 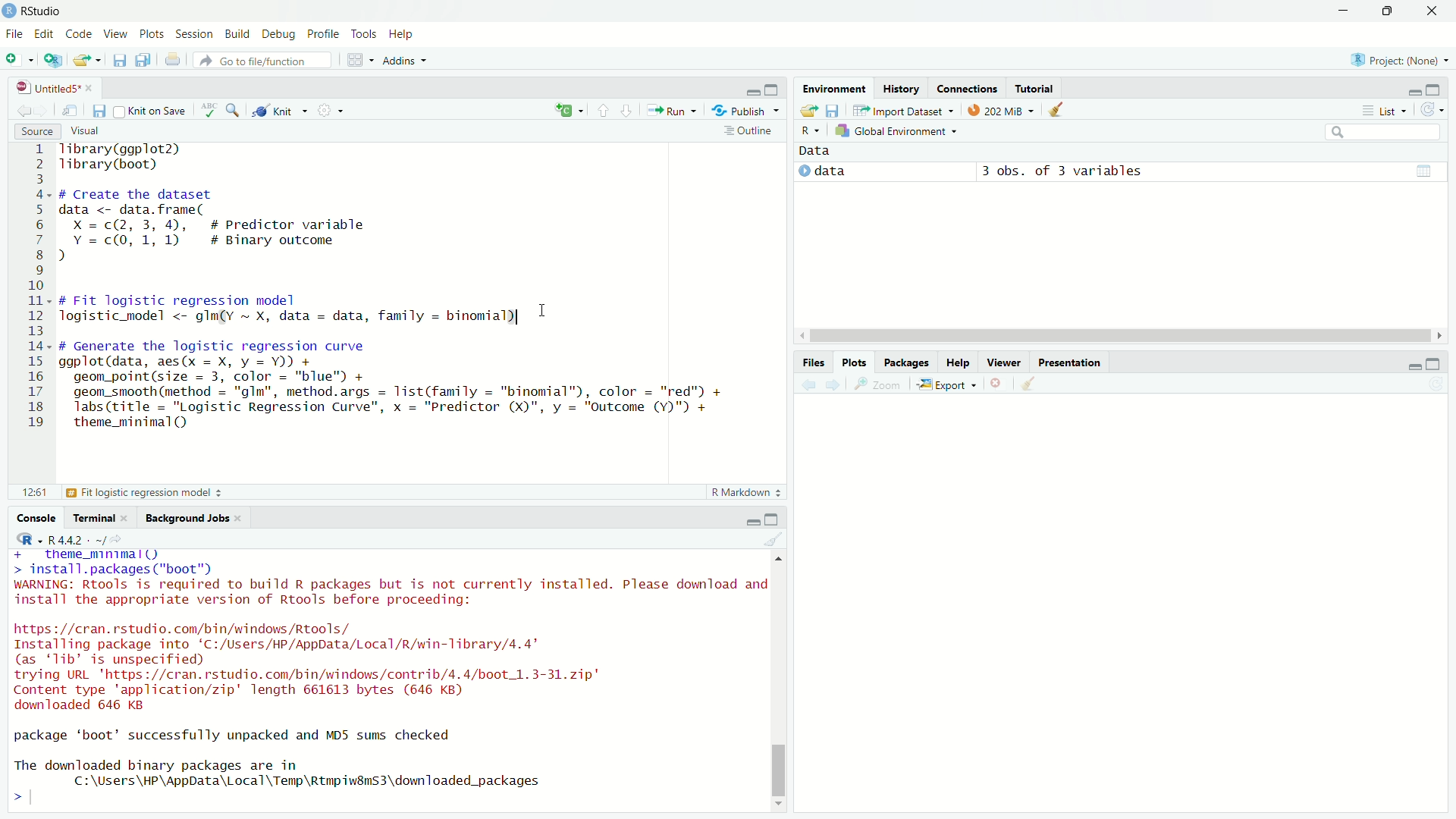 What do you see at coordinates (84, 130) in the screenshot?
I see `Visual` at bounding box center [84, 130].